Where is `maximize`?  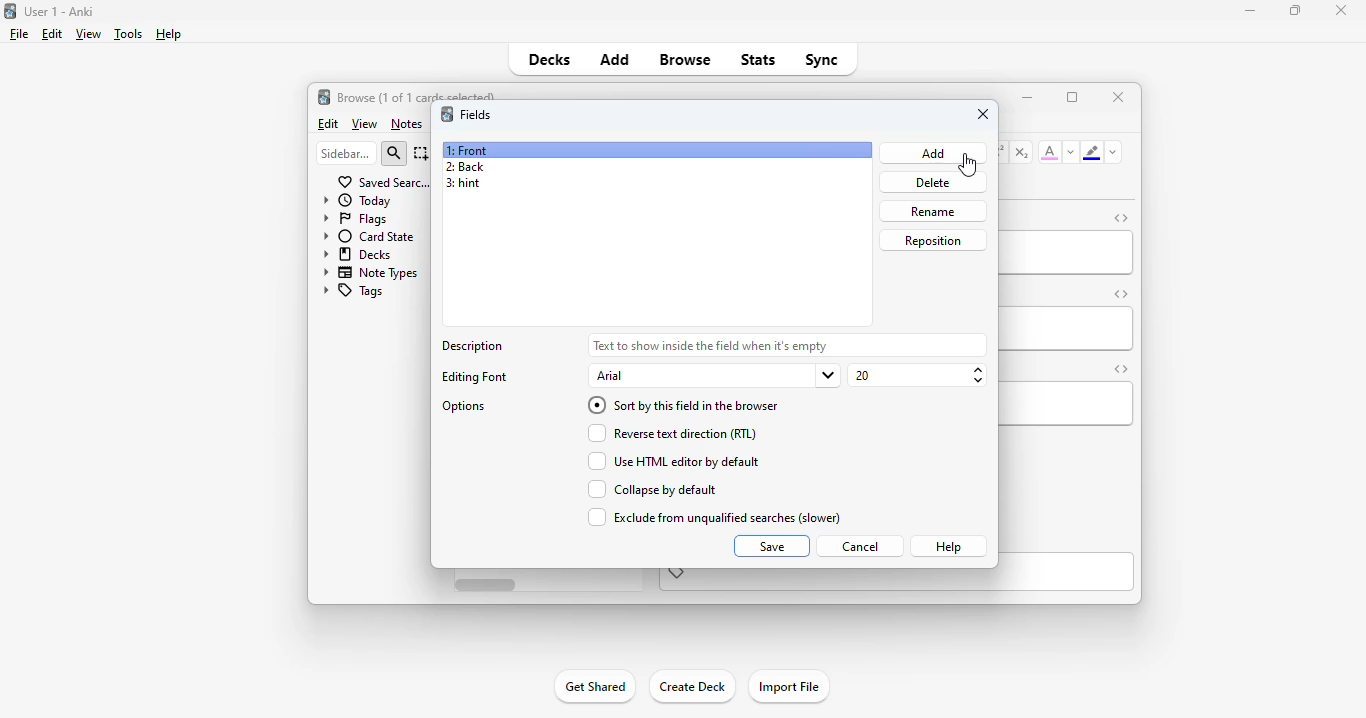
maximize is located at coordinates (1072, 97).